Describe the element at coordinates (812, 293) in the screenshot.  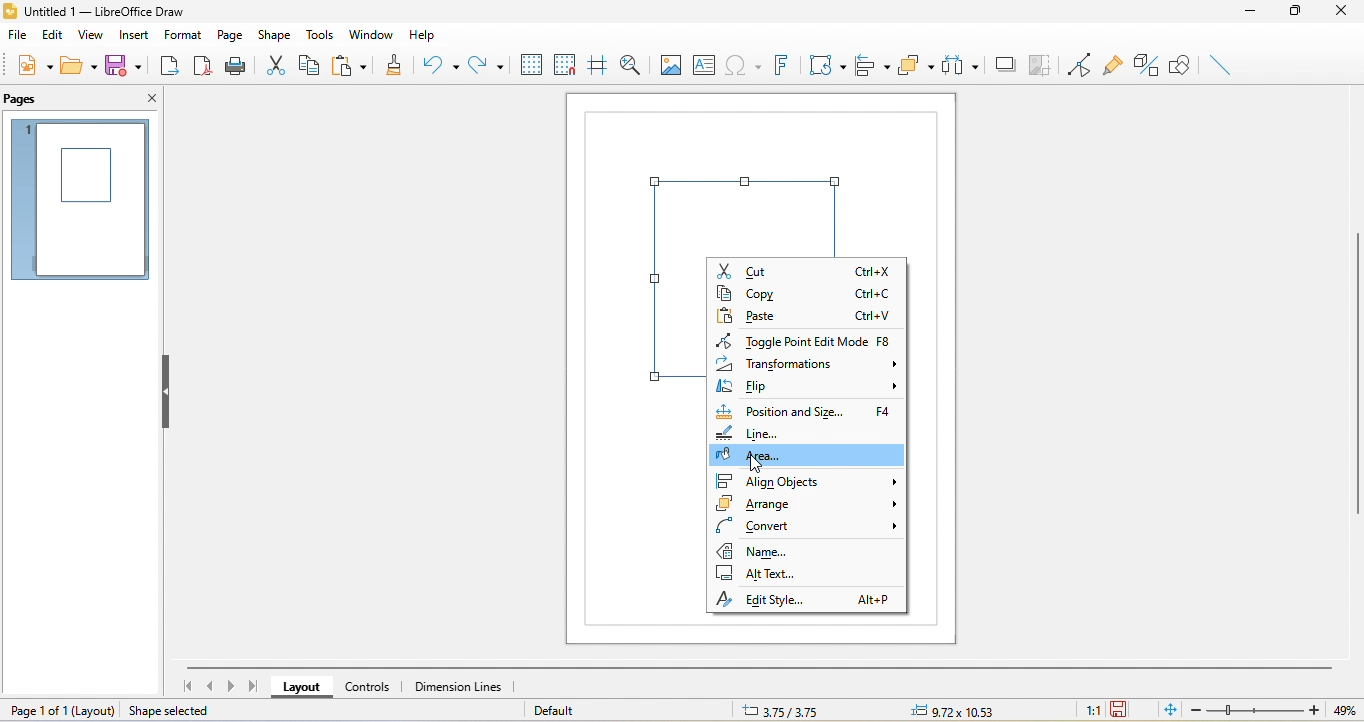
I see `copy` at that location.